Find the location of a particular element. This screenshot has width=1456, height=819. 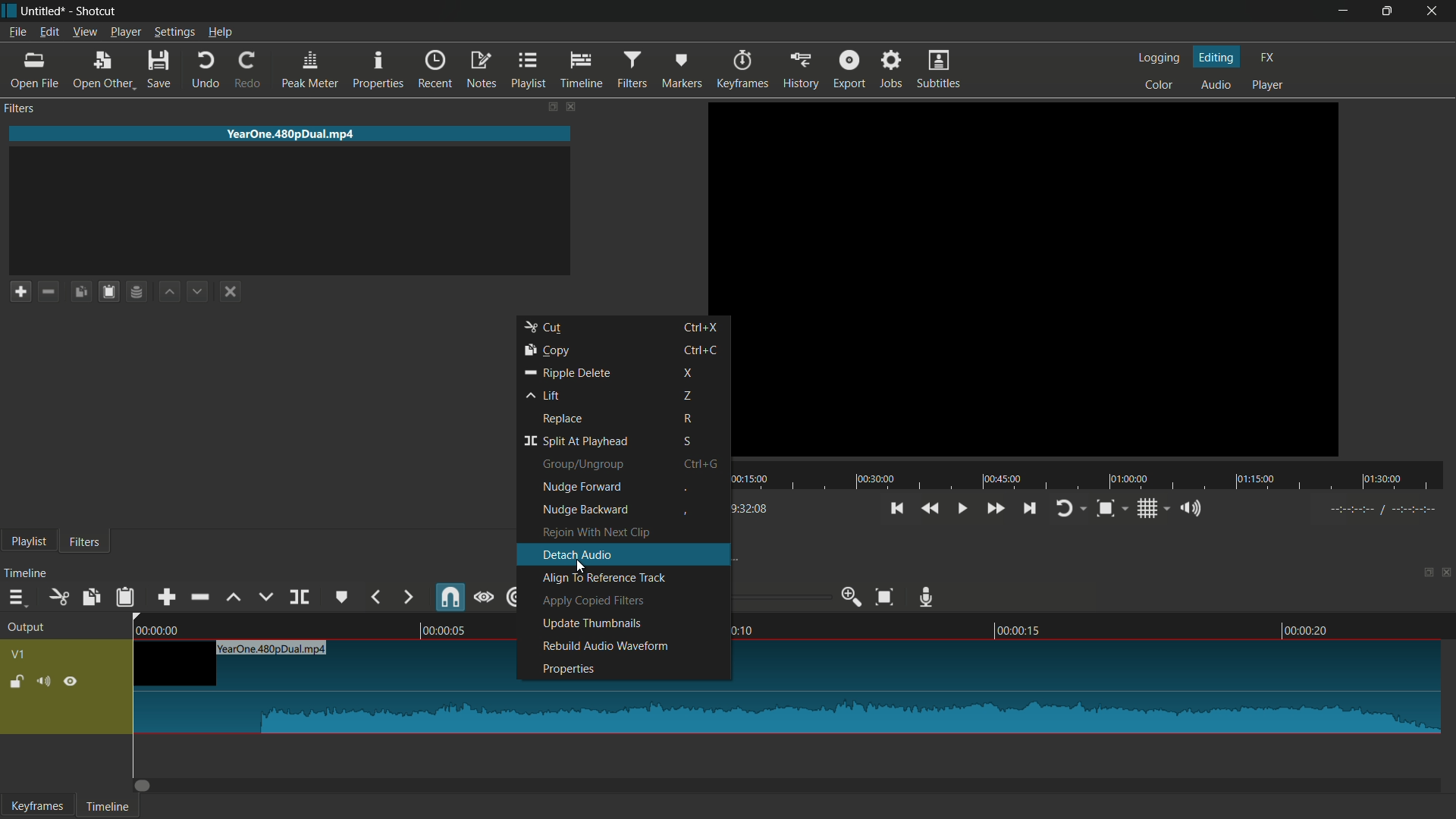

00:00:00 is located at coordinates (161, 629).